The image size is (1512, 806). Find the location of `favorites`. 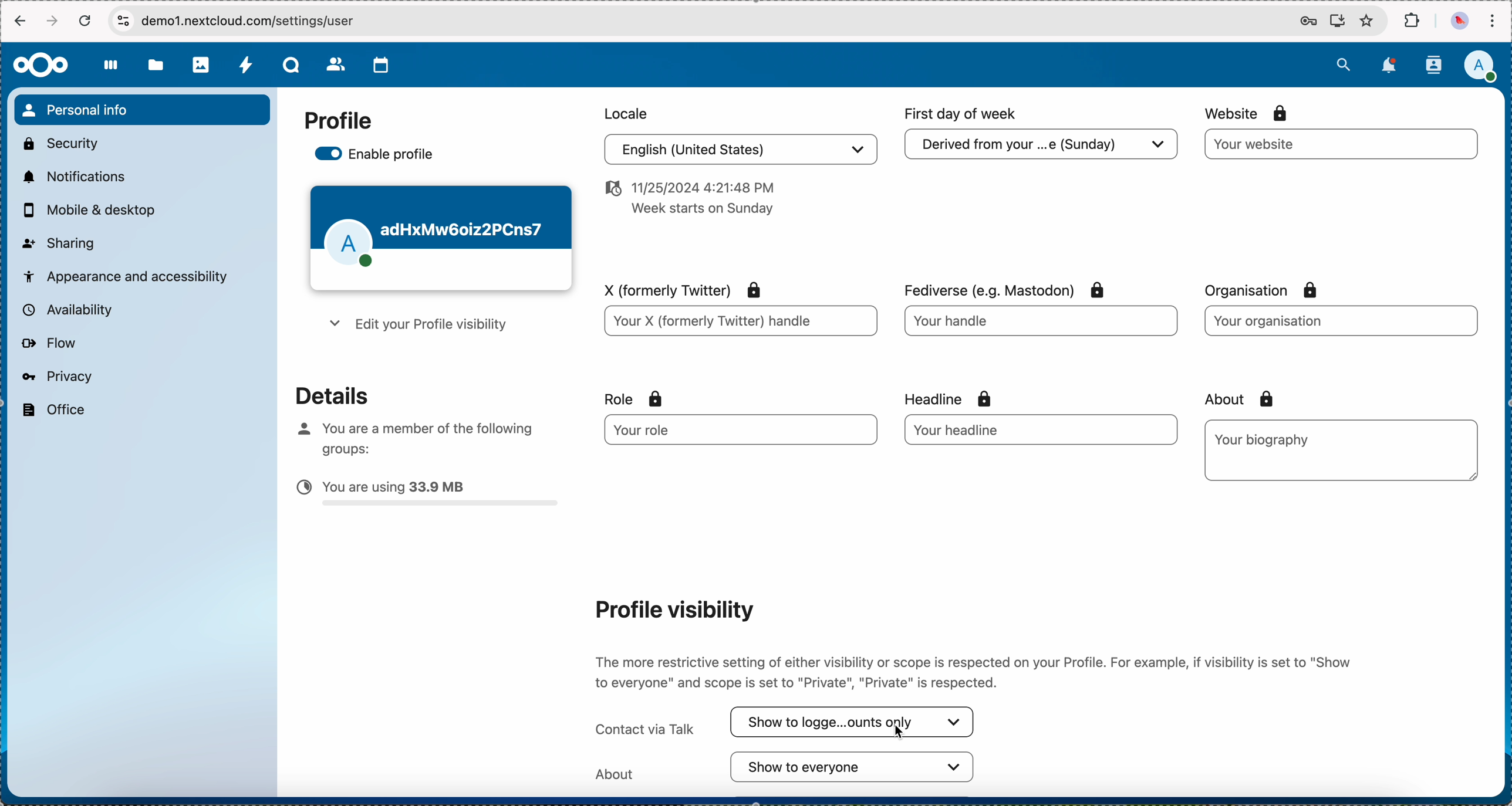

favorites is located at coordinates (1366, 22).